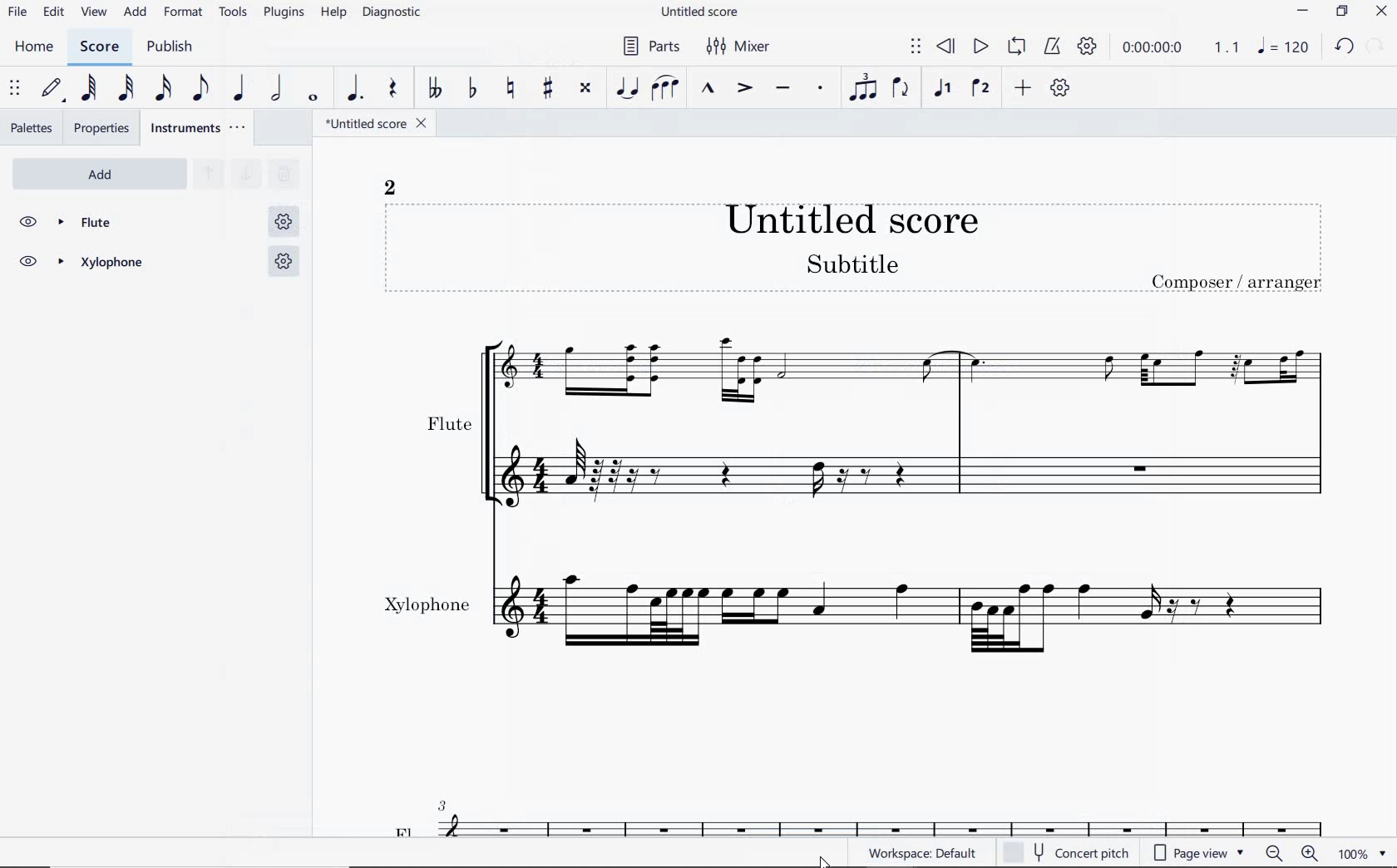 The width and height of the screenshot is (1397, 868). Describe the element at coordinates (629, 86) in the screenshot. I see `TIE` at that location.